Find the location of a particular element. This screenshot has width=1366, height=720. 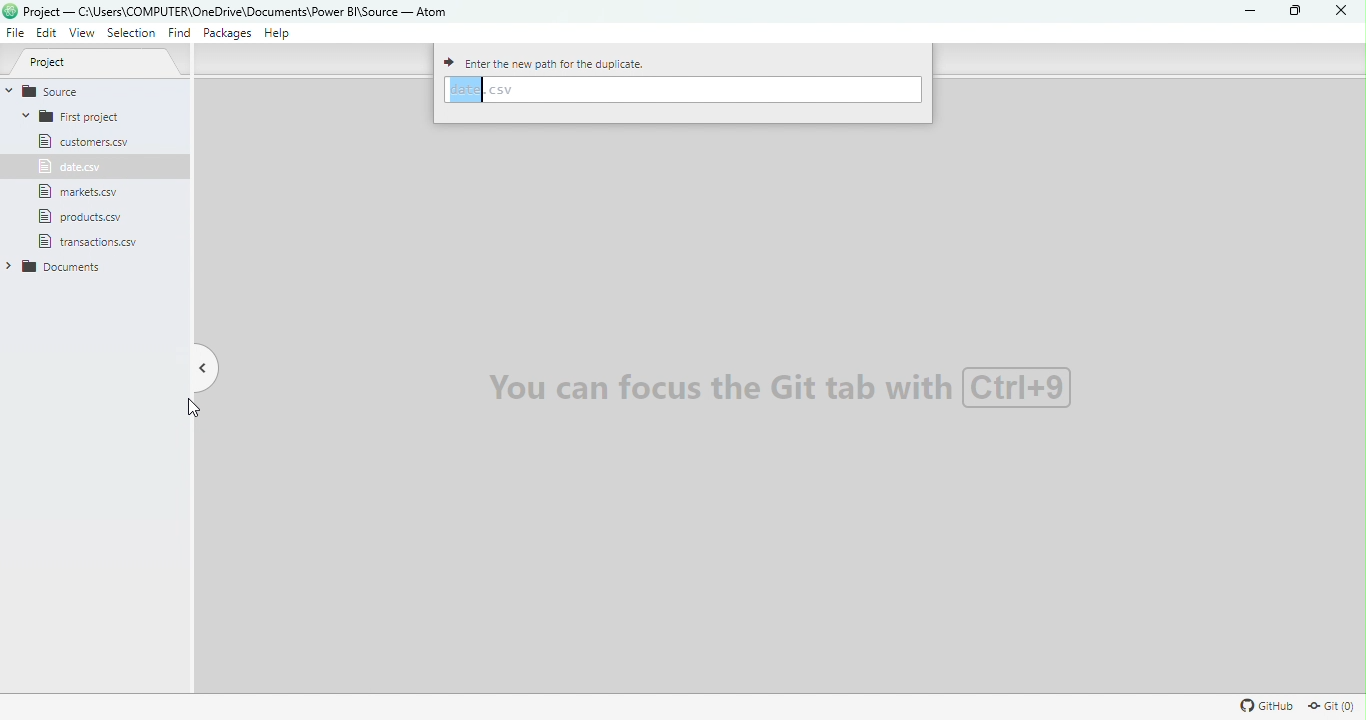

Enter the new path for the duplicate is located at coordinates (549, 62).